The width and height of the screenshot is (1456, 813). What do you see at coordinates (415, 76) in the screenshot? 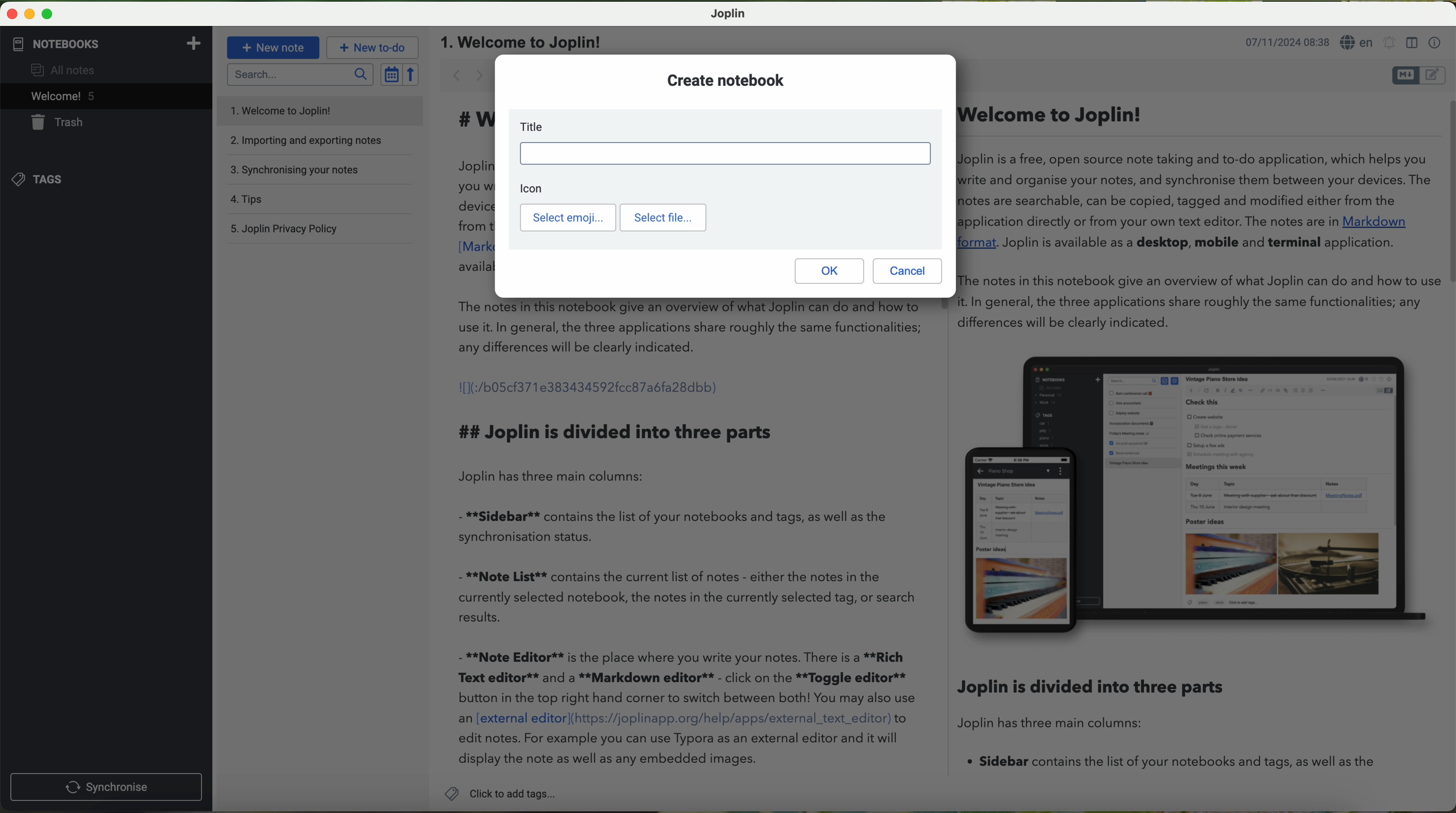
I see `` at bounding box center [415, 76].